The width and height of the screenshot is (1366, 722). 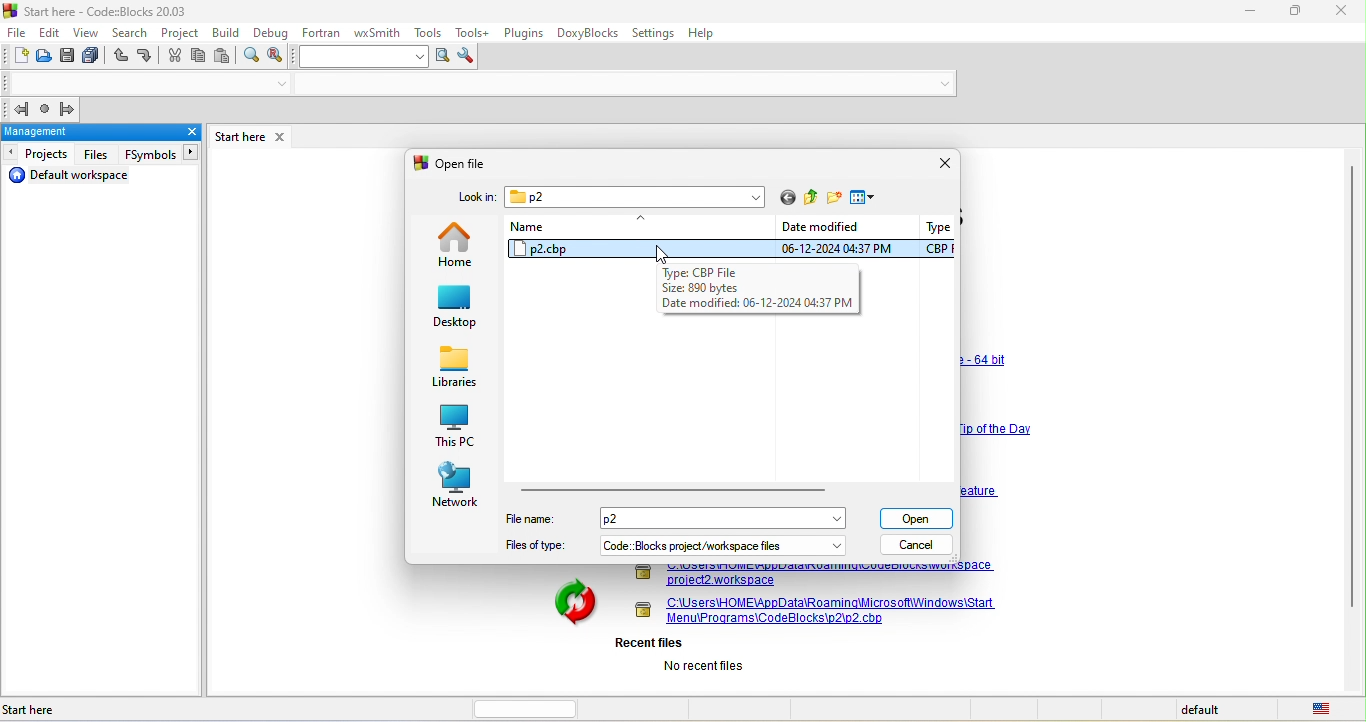 I want to click on united state, so click(x=1324, y=710).